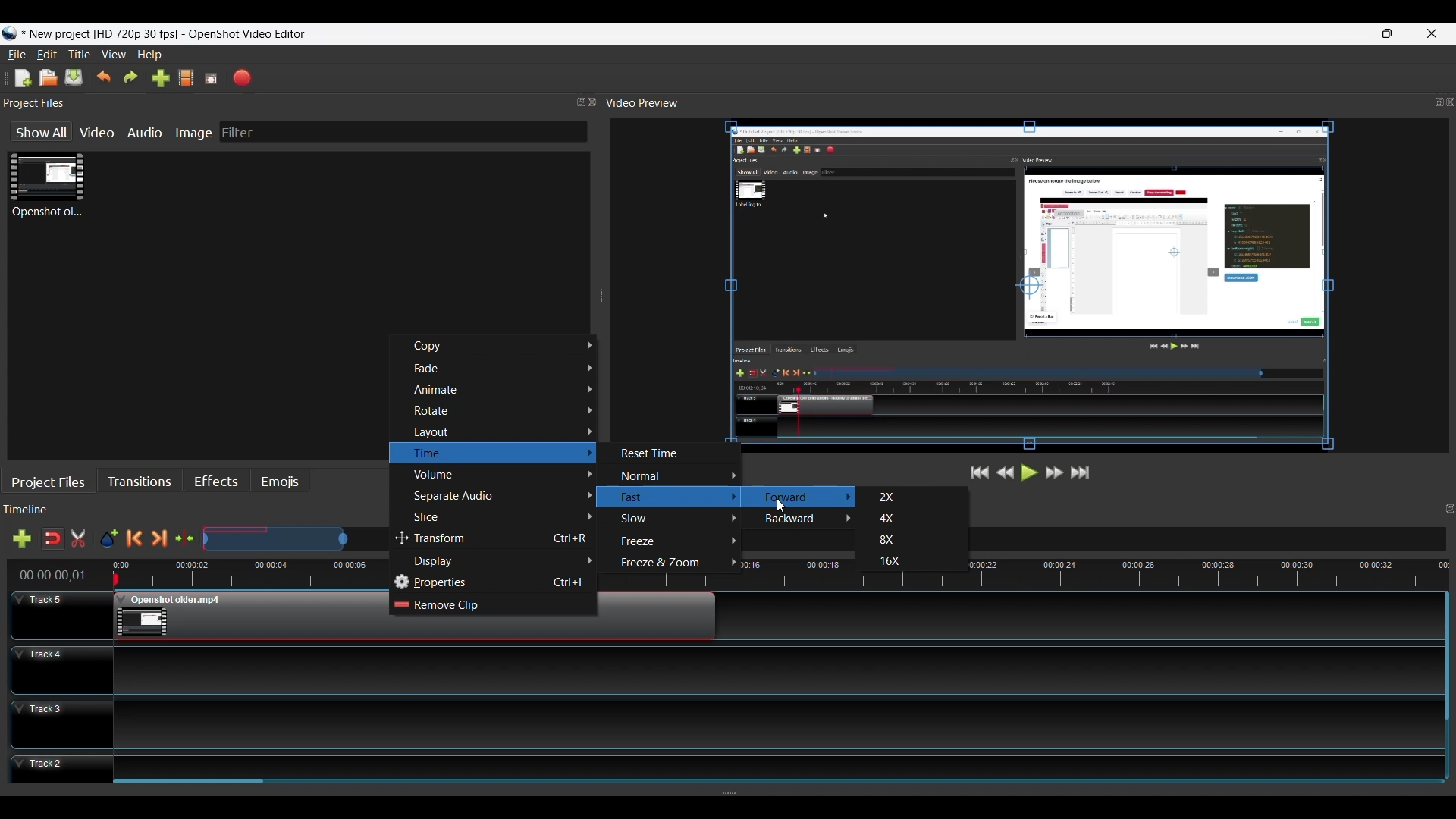 This screenshot has height=819, width=1456. What do you see at coordinates (1389, 33) in the screenshot?
I see `Restore` at bounding box center [1389, 33].